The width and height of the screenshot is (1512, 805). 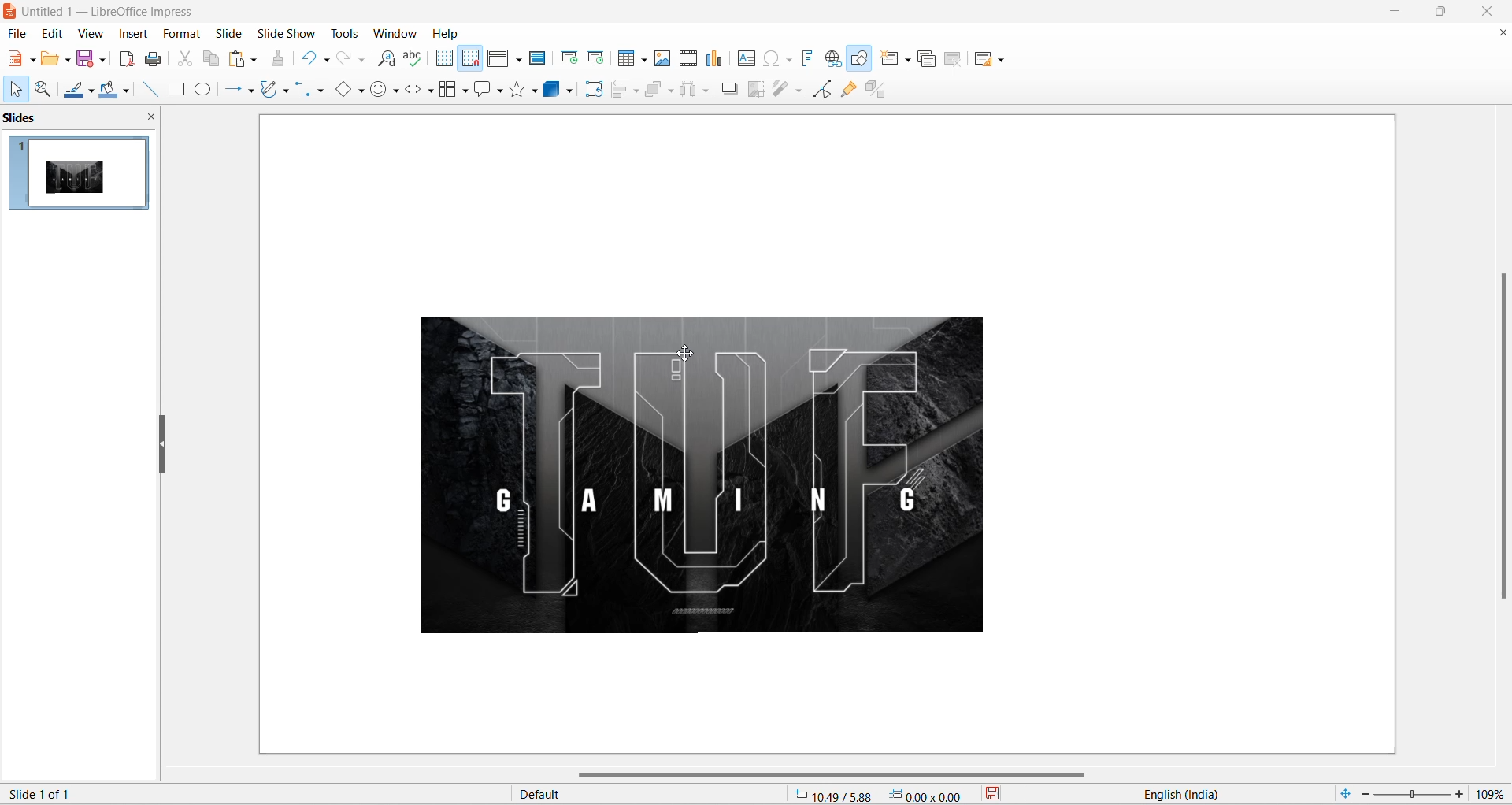 What do you see at coordinates (1005, 61) in the screenshot?
I see `Slide layout options` at bounding box center [1005, 61].